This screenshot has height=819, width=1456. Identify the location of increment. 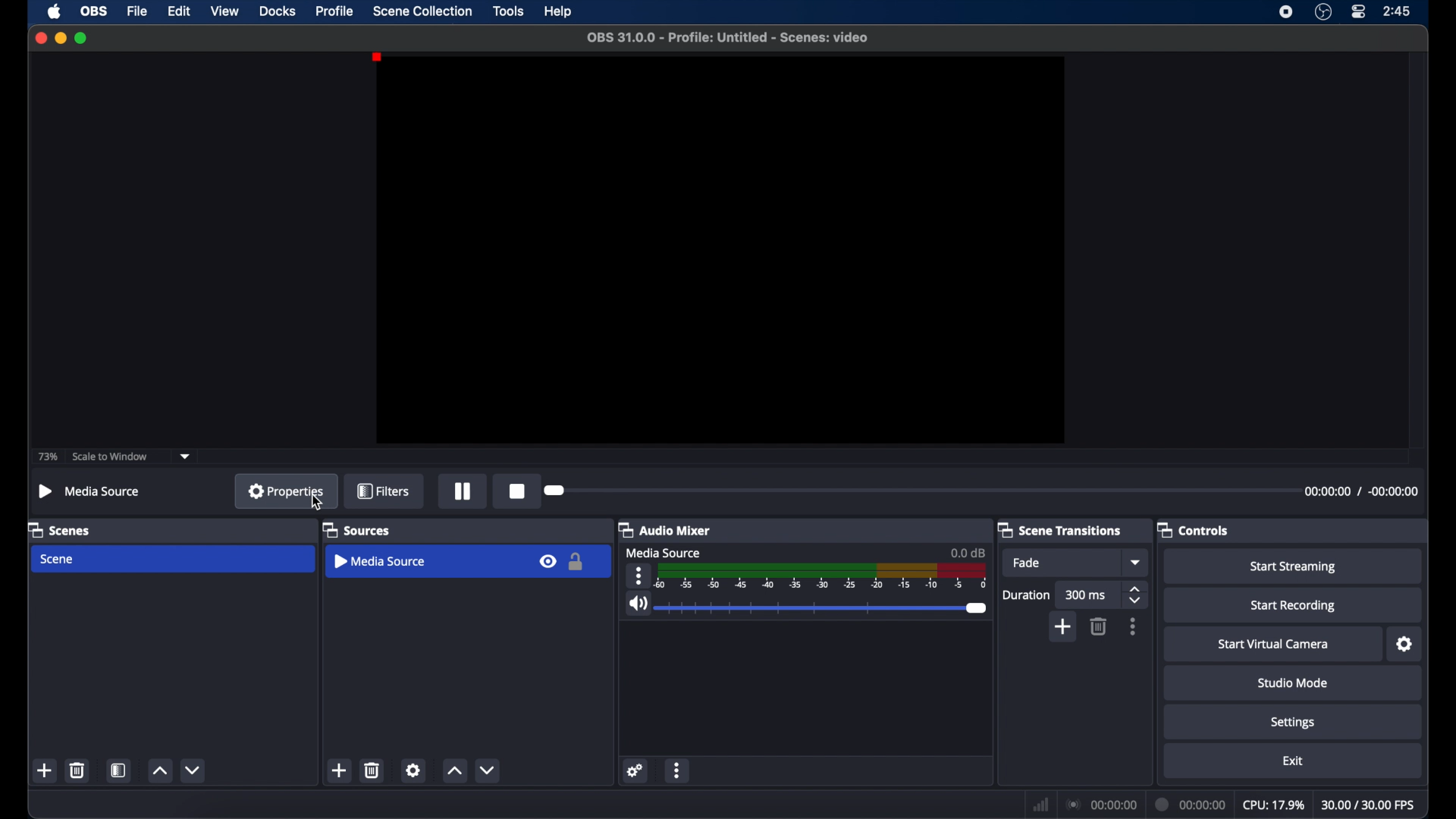
(455, 772).